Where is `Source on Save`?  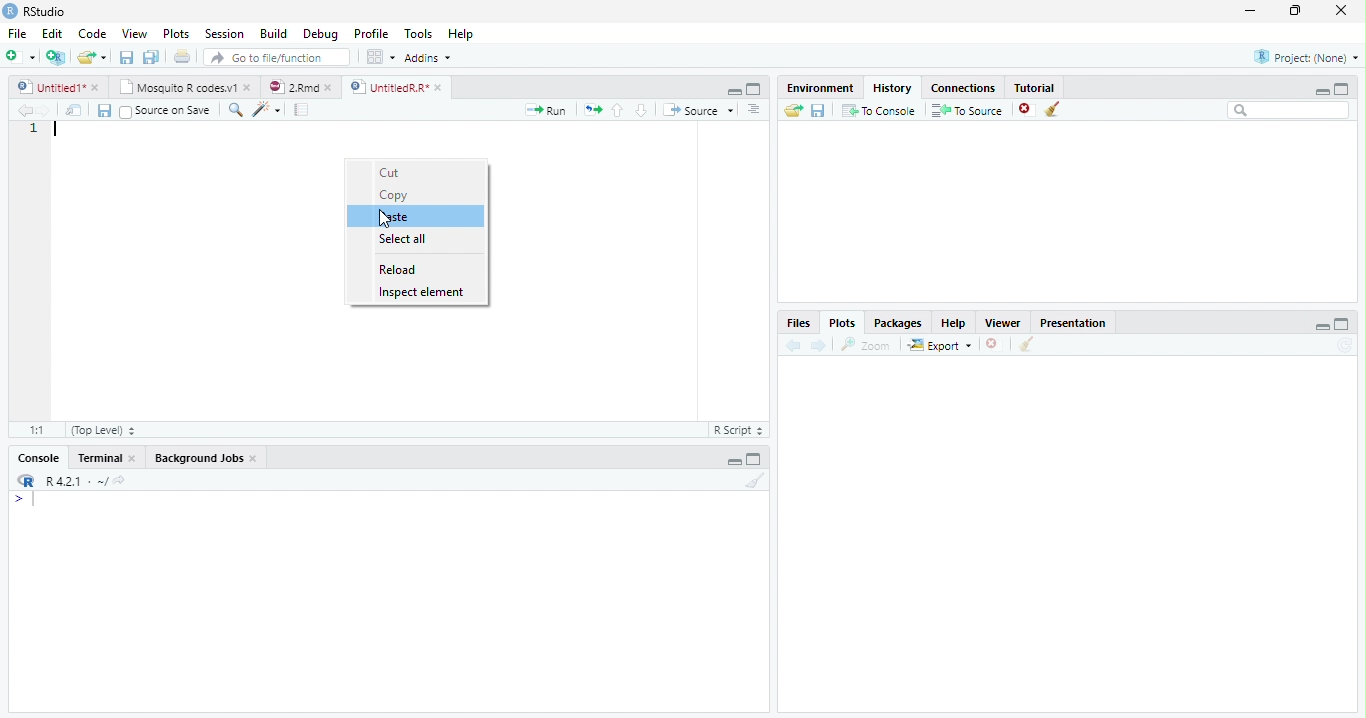 Source on Save is located at coordinates (165, 111).